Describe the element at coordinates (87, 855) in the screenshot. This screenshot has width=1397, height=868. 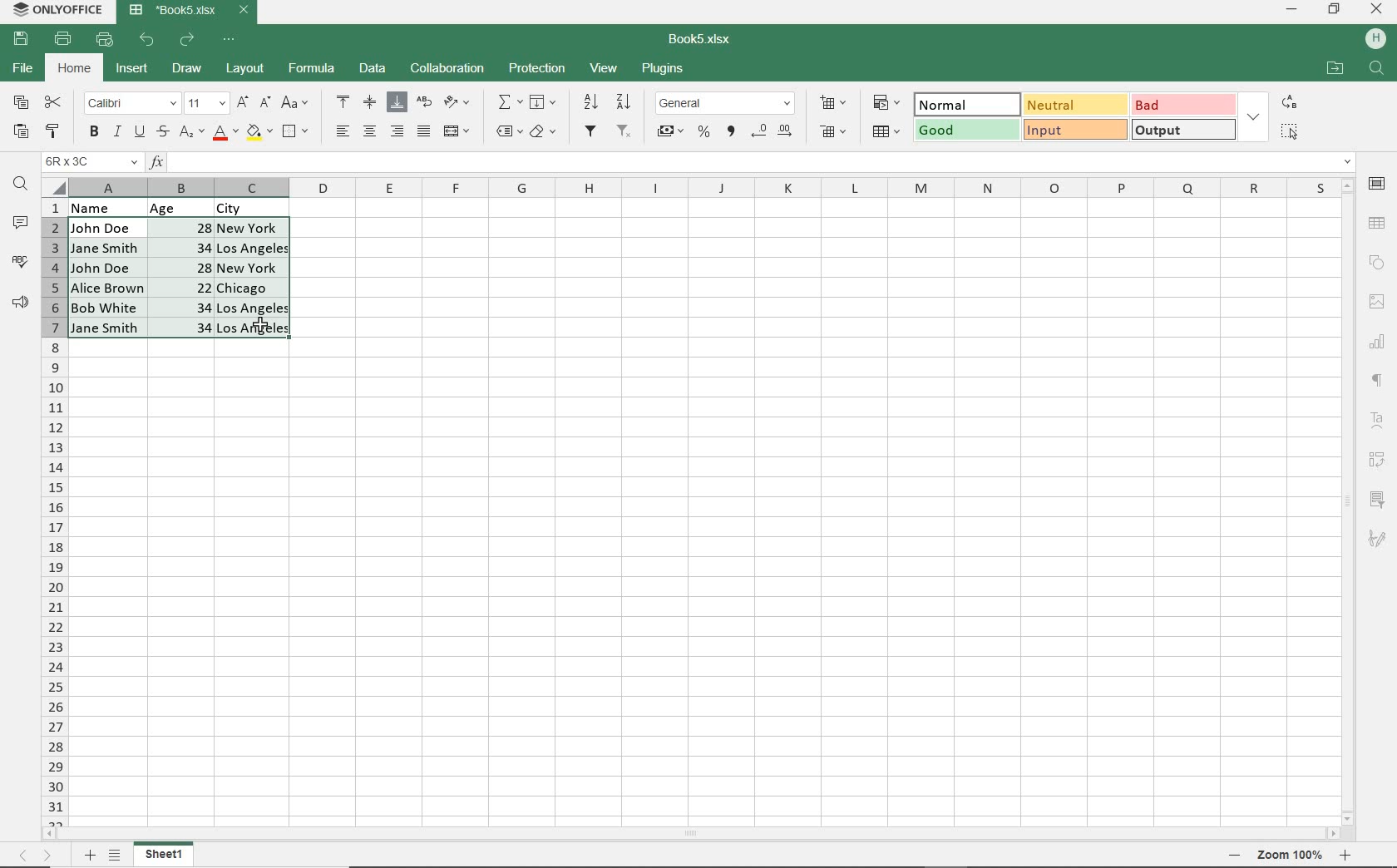
I see `Add sheets` at that location.